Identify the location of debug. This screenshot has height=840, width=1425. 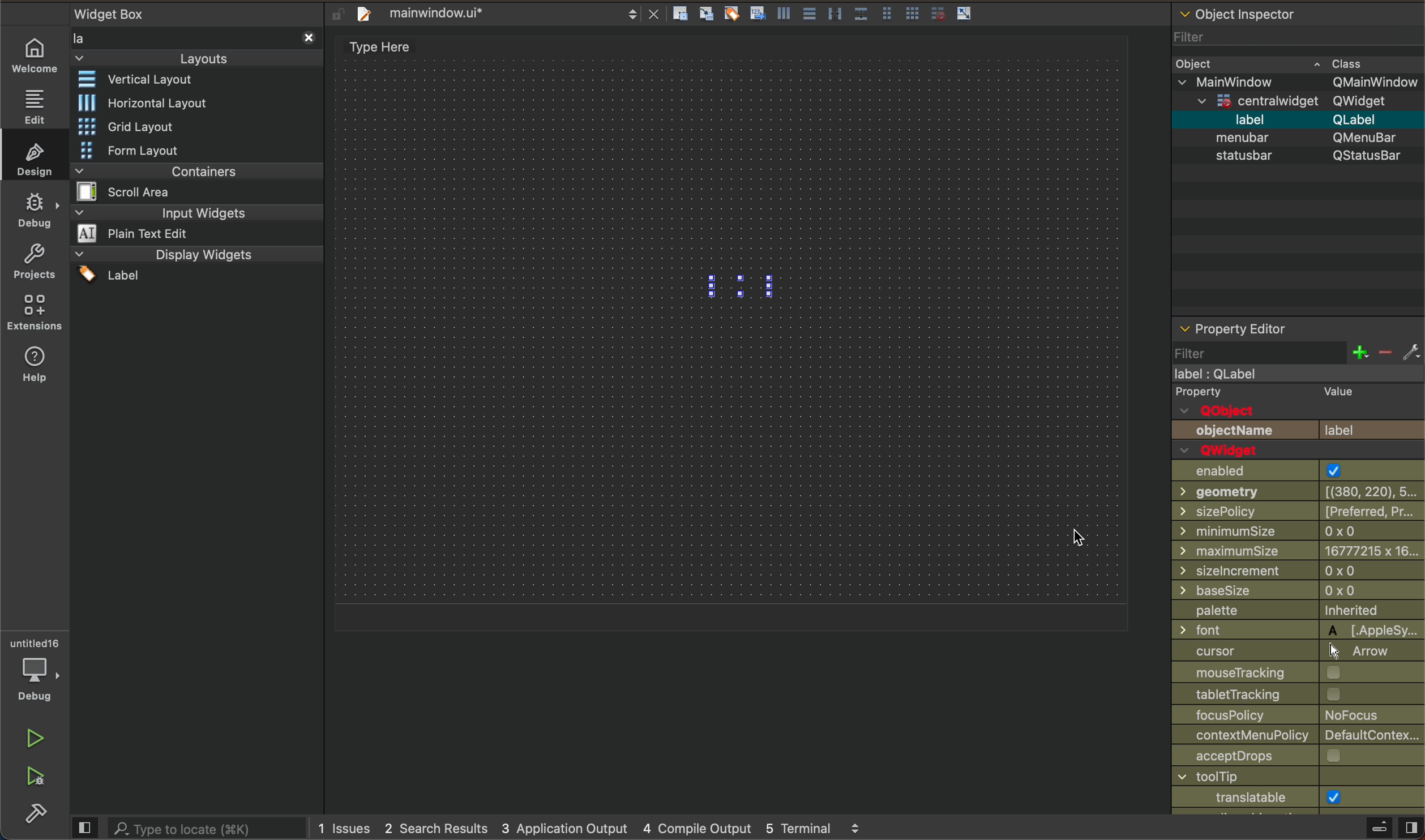
(38, 213).